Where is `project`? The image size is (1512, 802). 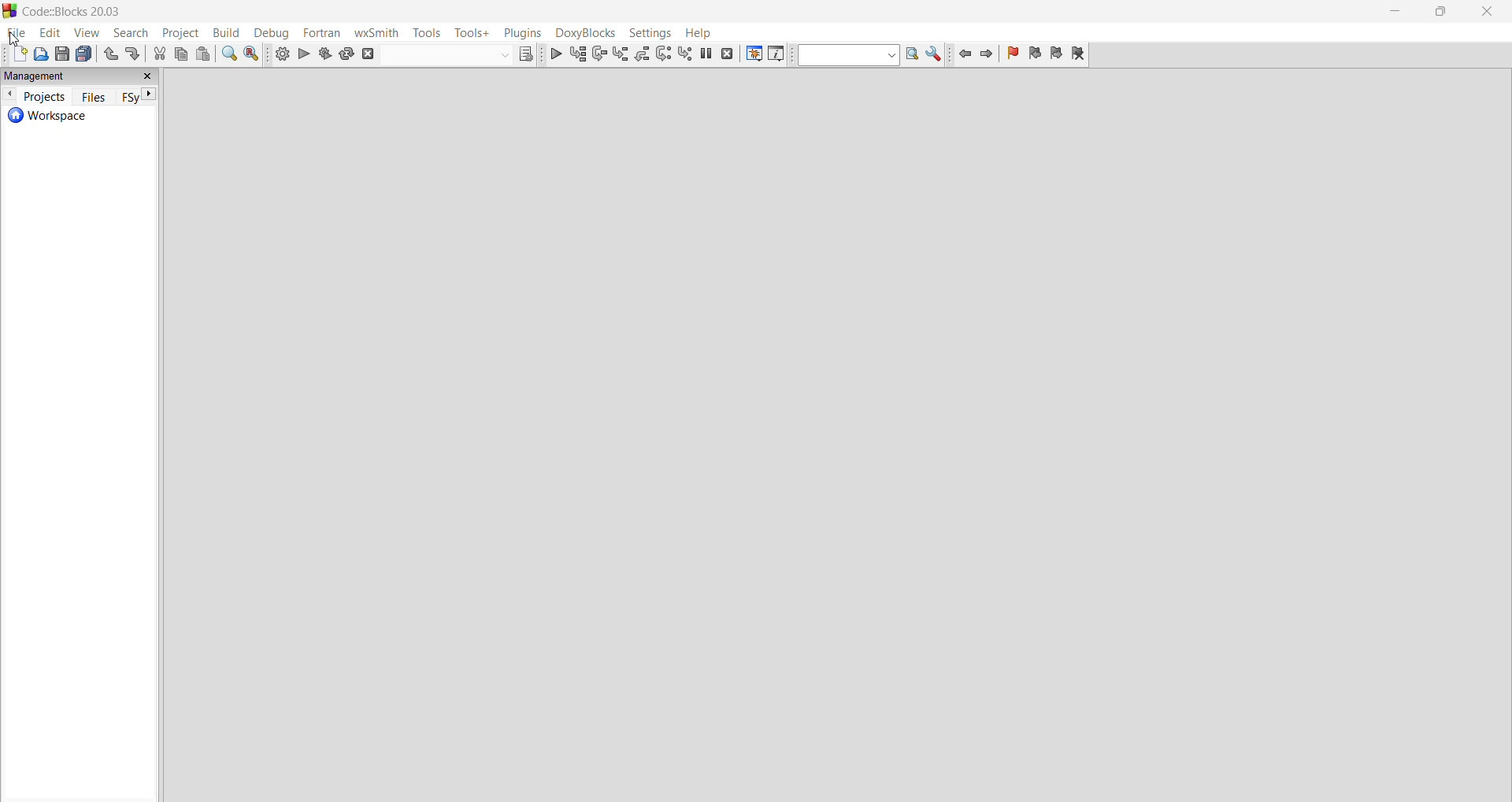 project is located at coordinates (181, 33).